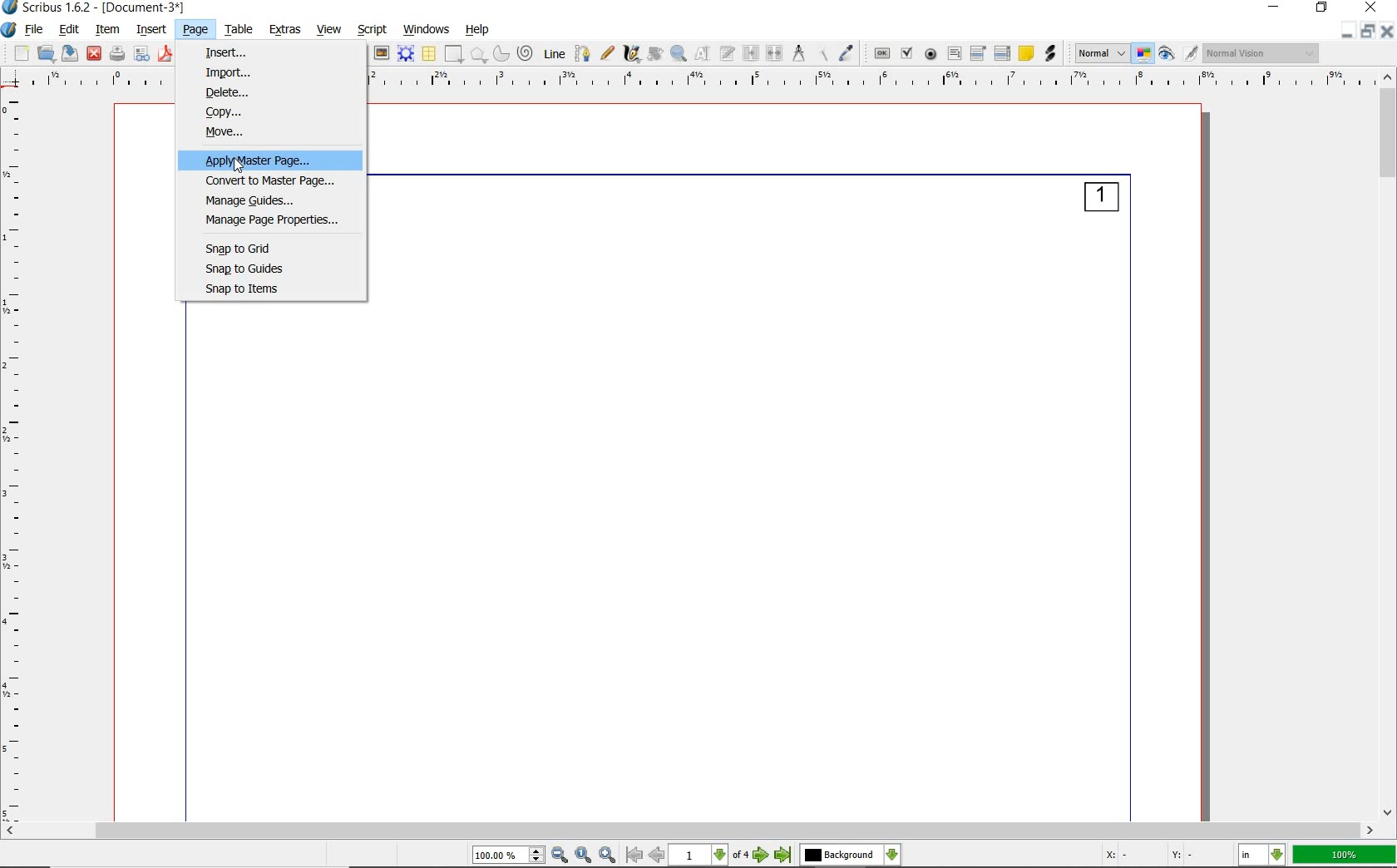  I want to click on close, so click(95, 55).